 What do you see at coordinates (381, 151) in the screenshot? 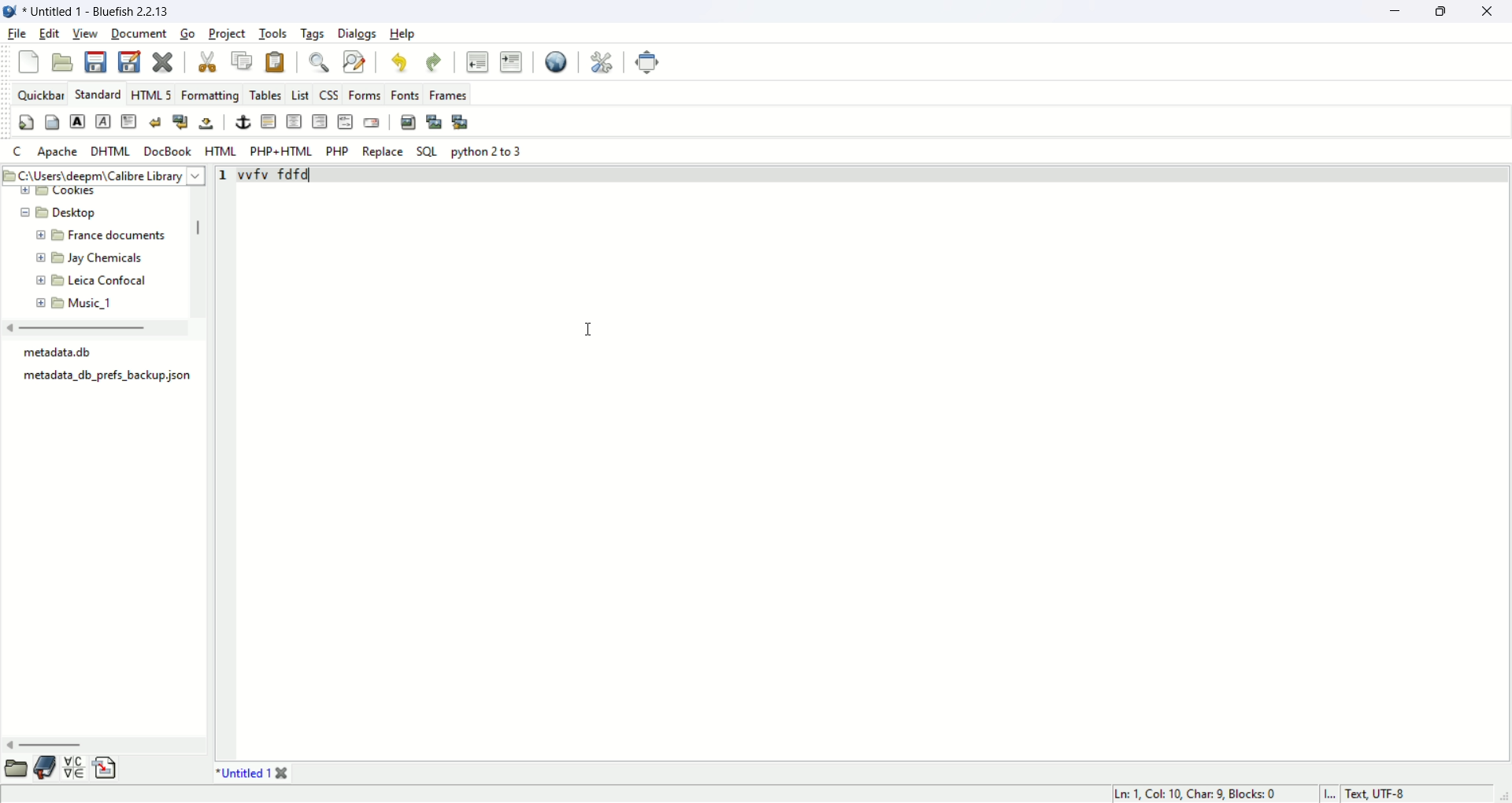
I see `replace` at bounding box center [381, 151].